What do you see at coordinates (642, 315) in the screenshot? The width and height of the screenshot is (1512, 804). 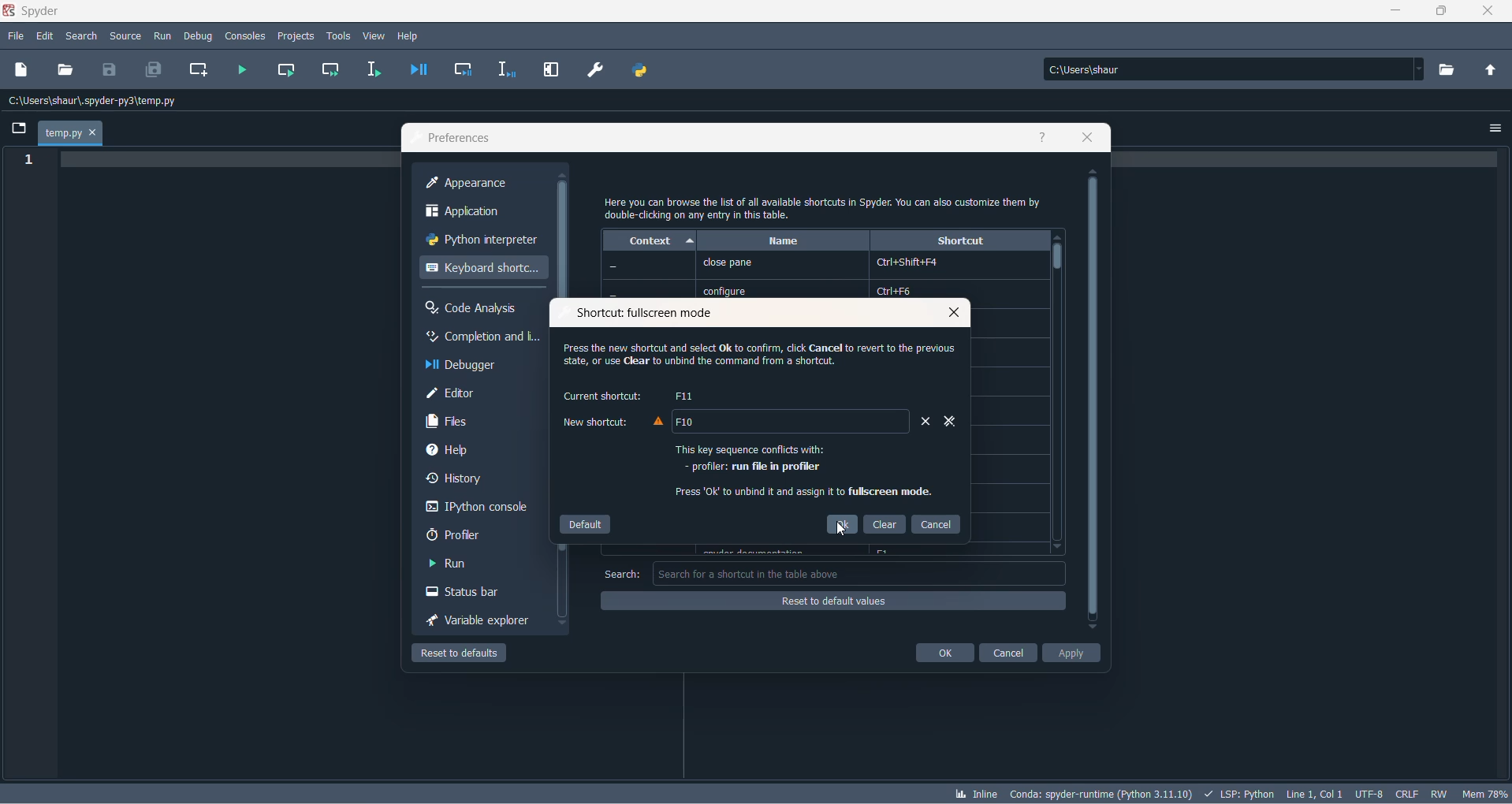 I see `shortcut fullscreen mode` at bounding box center [642, 315].